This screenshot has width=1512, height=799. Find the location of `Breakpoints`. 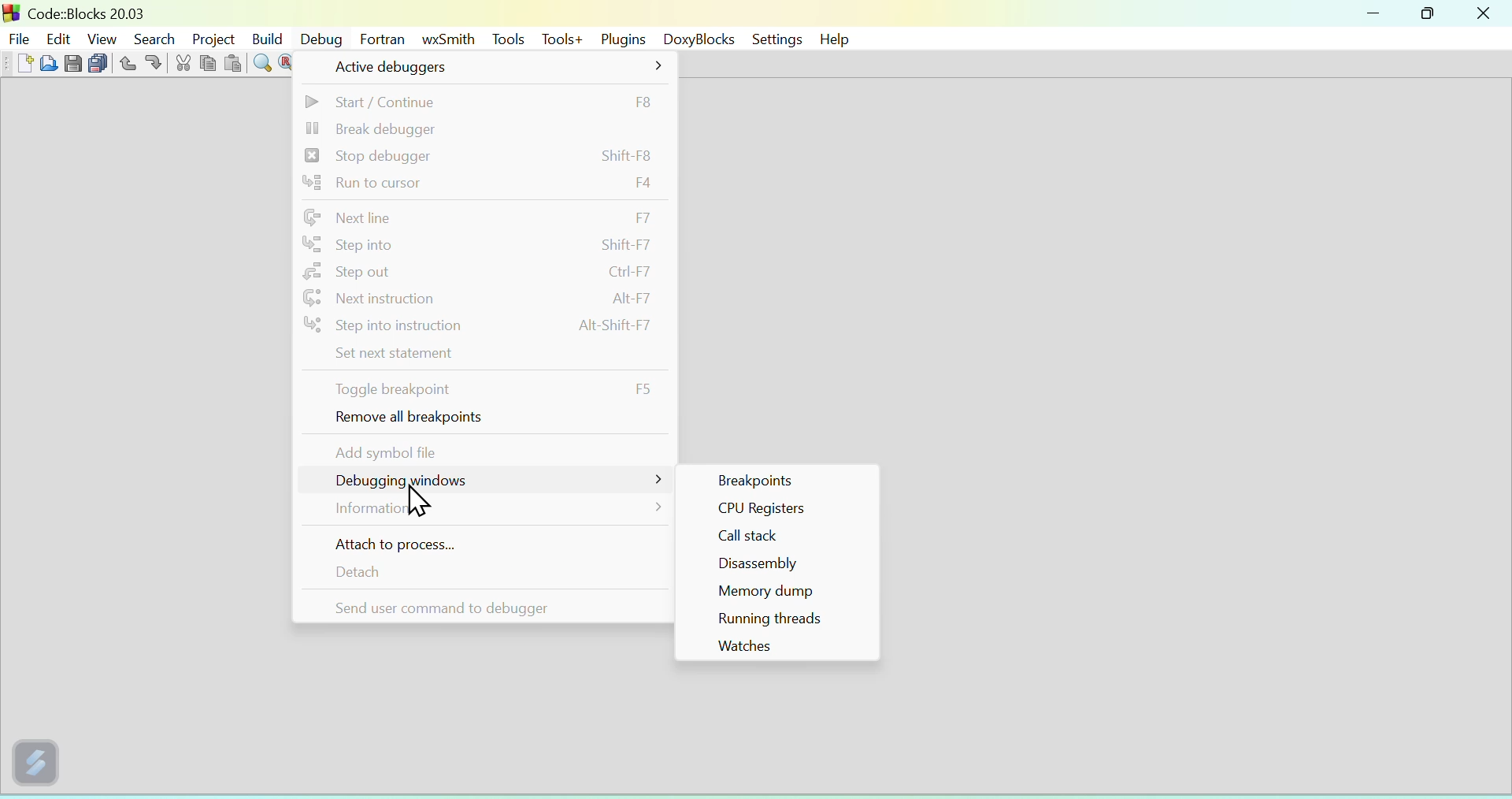

Breakpoints is located at coordinates (774, 478).